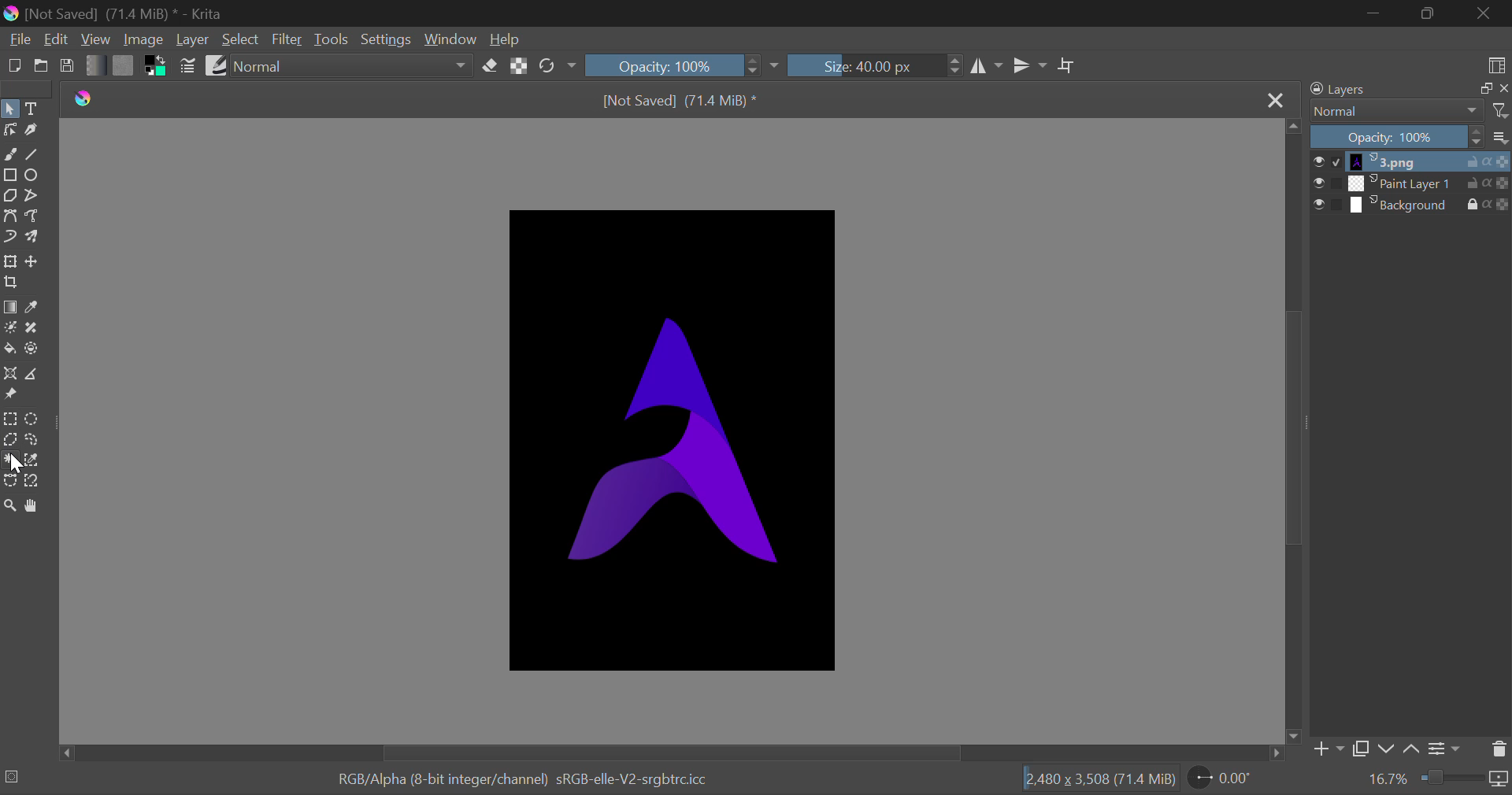 The width and height of the screenshot is (1512, 795). Describe the element at coordinates (1328, 162) in the screenshot. I see `checkbox` at that location.